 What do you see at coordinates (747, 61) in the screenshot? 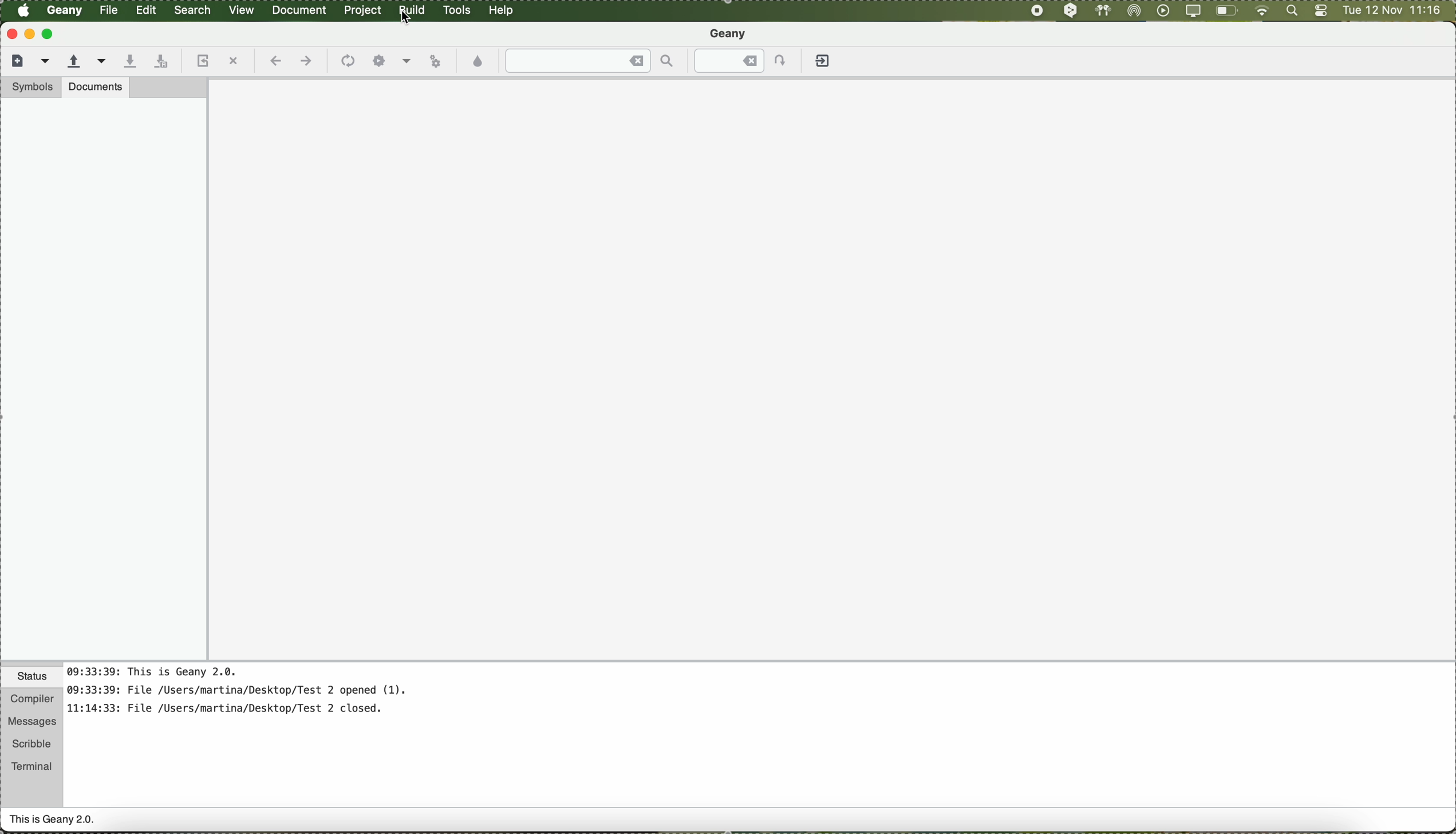
I see `jump to the entered line number` at bounding box center [747, 61].